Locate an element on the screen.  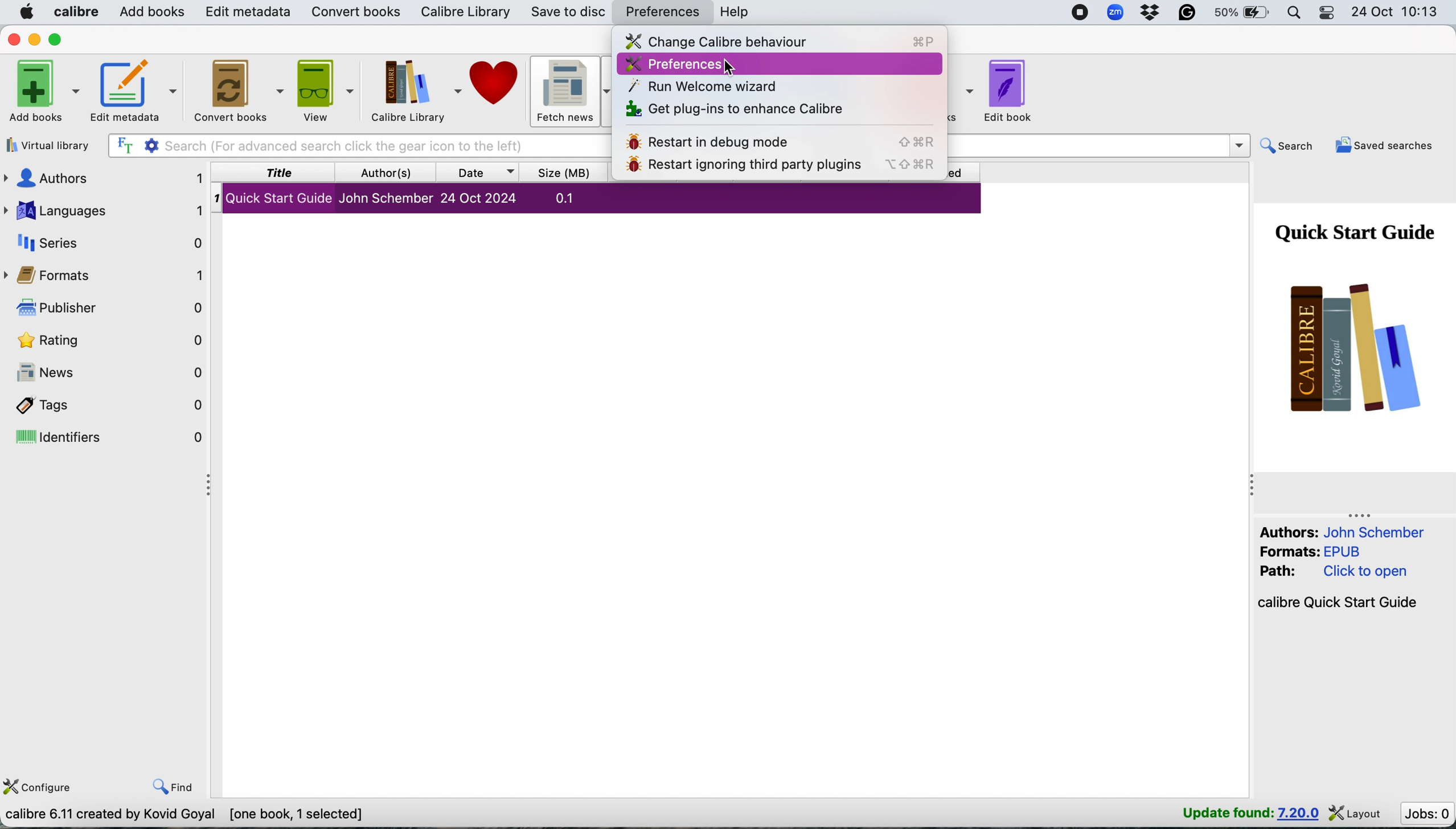
system logo is located at coordinates (26, 13).